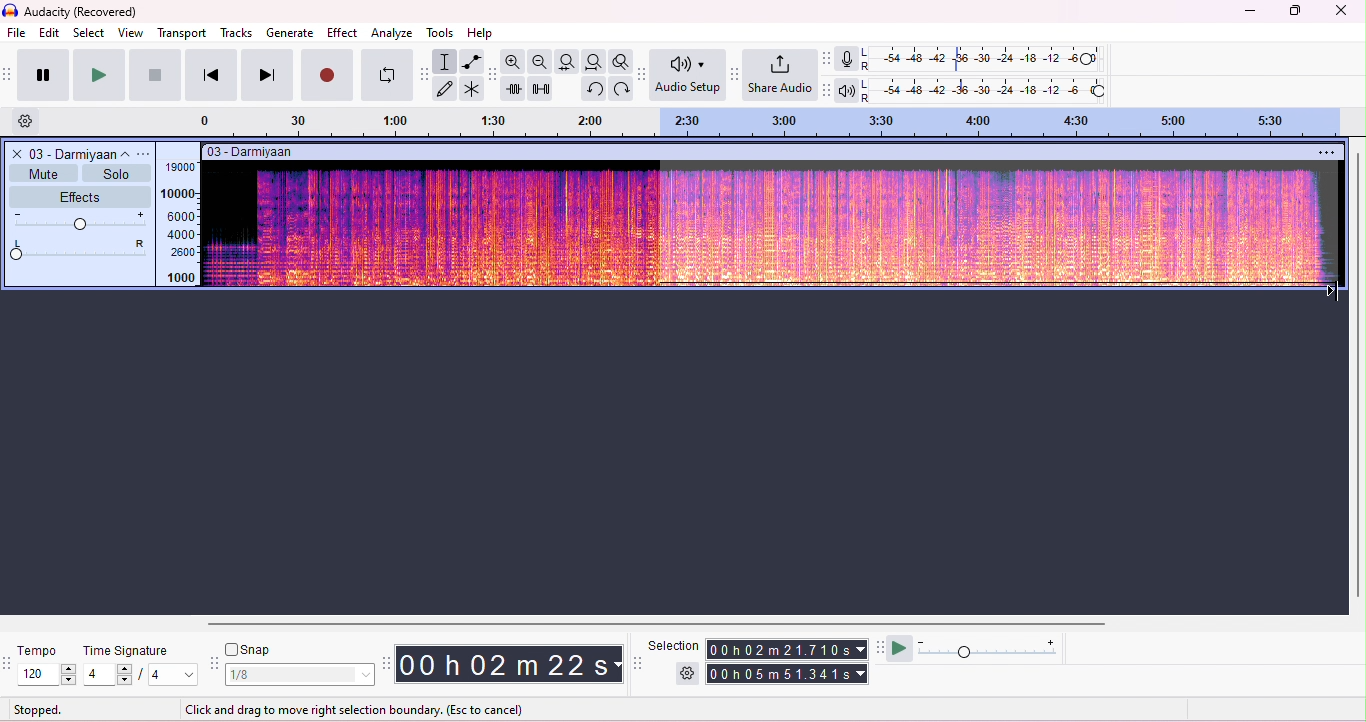 Image resolution: width=1366 pixels, height=722 pixels. I want to click on recording meter, so click(848, 59).